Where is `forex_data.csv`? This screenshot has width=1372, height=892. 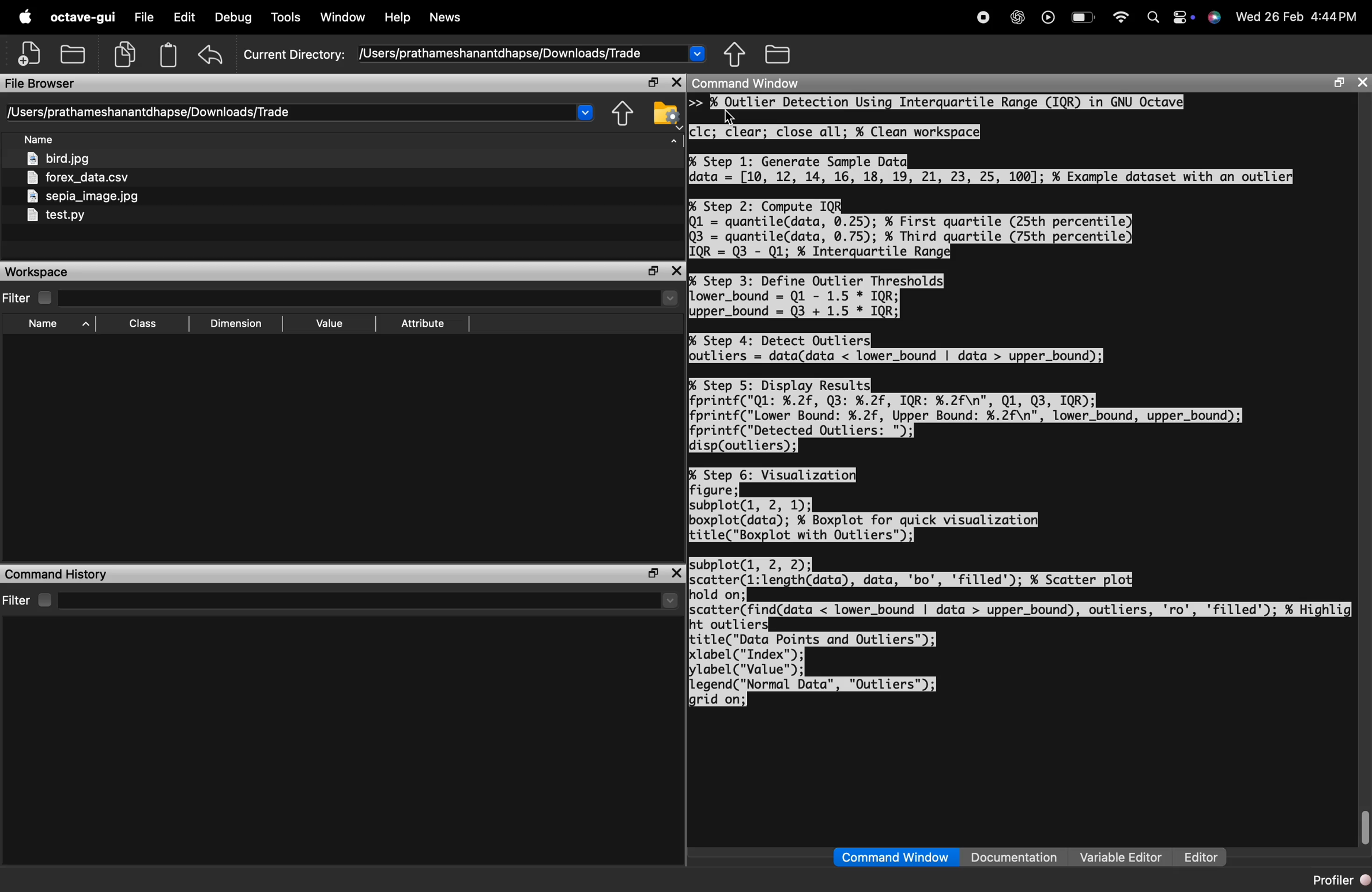
forex_data.csv is located at coordinates (77, 177).